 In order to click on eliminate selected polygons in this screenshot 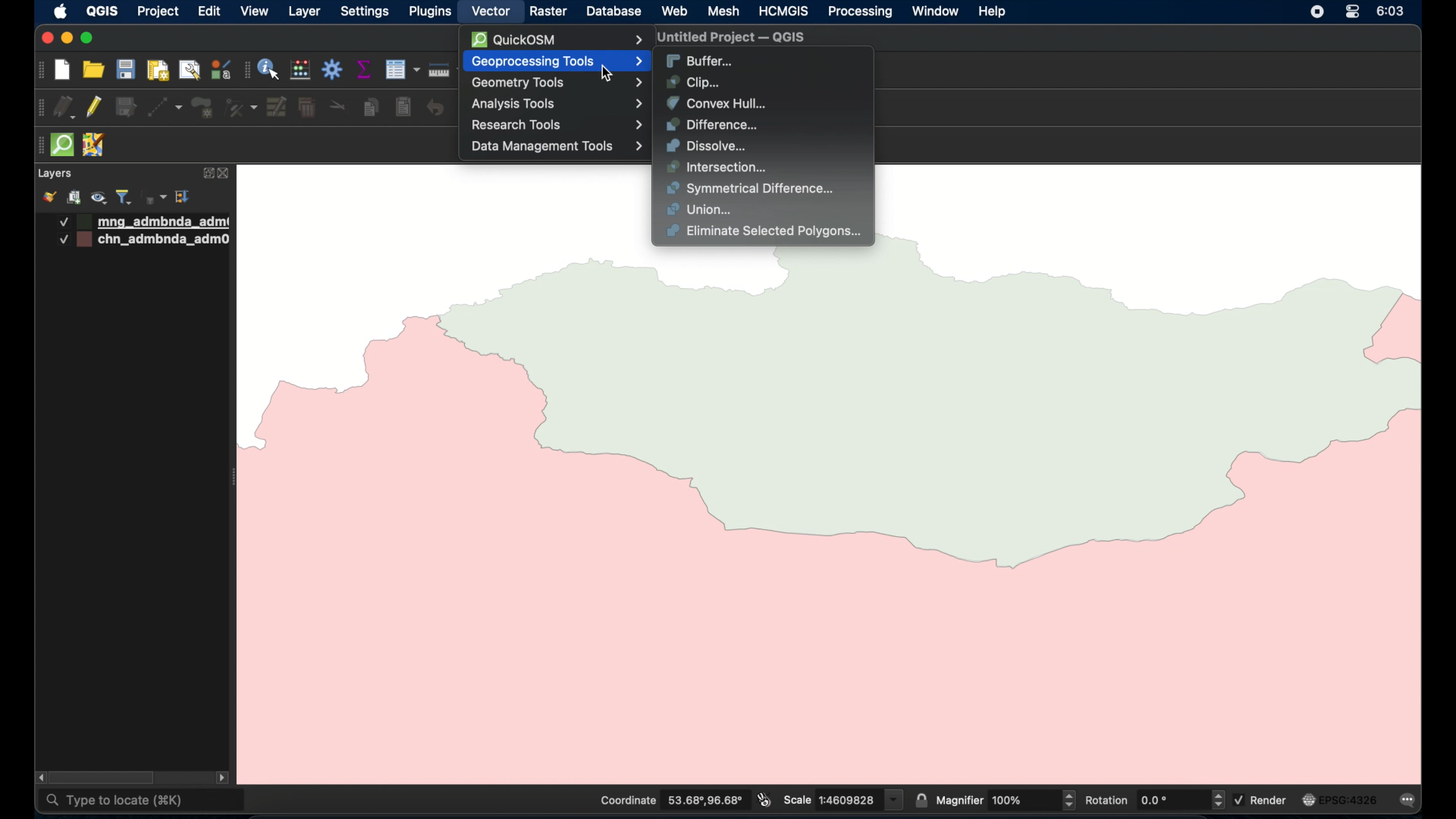, I will do `click(766, 233)`.